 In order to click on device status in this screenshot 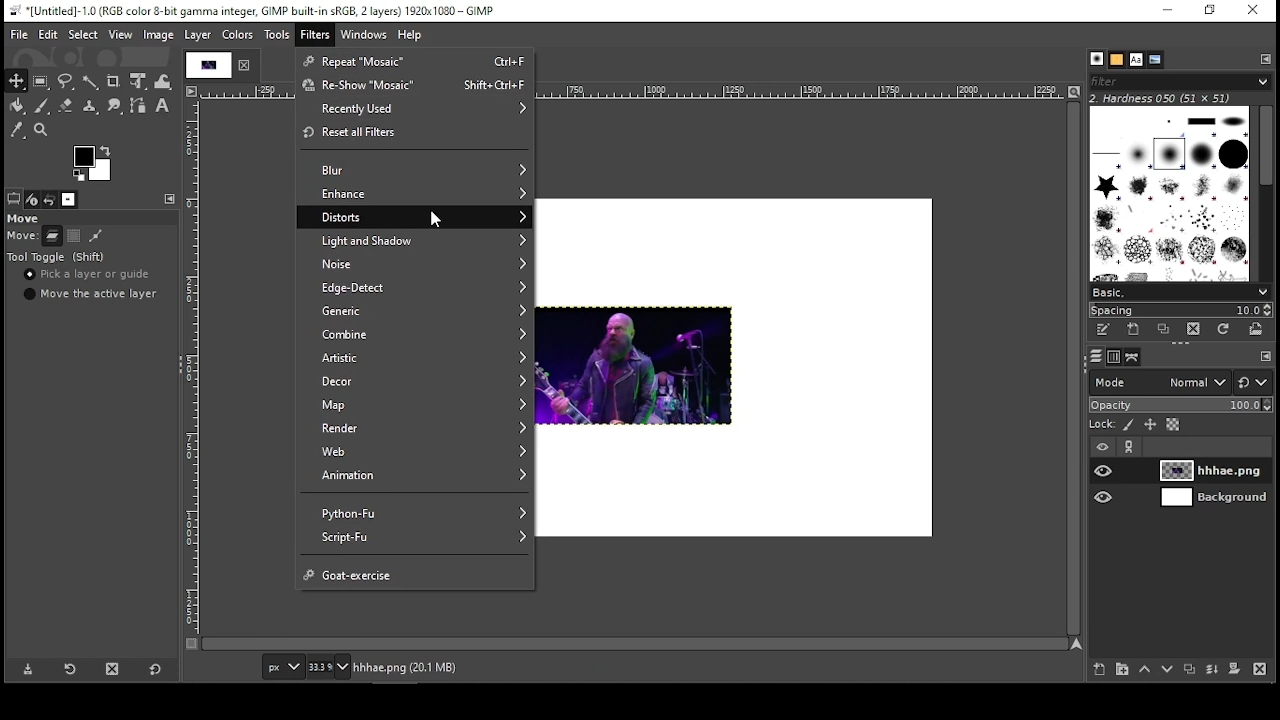, I will do `click(30, 199)`.